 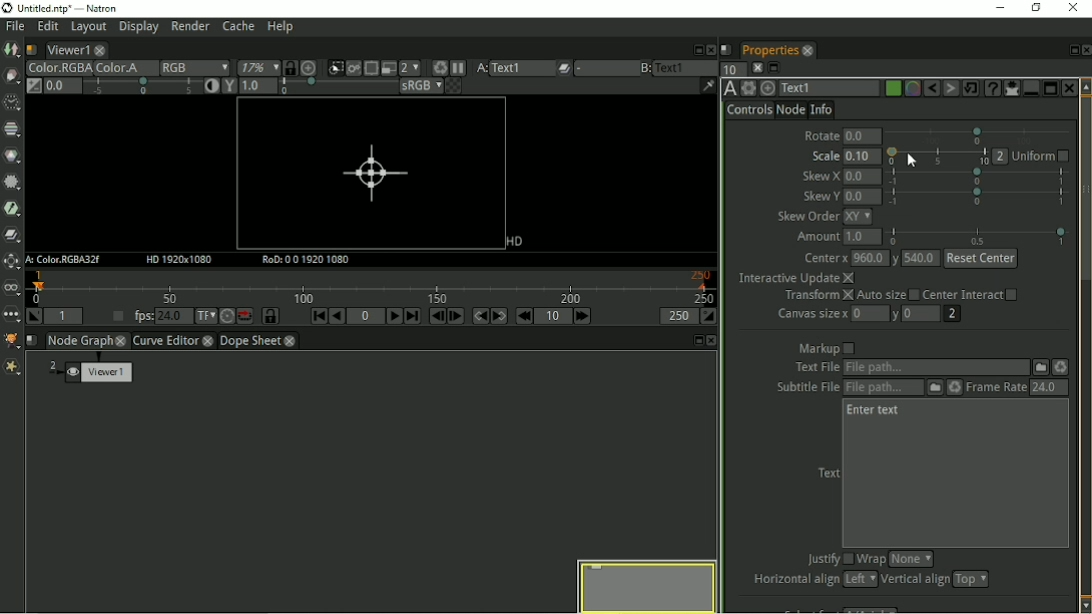 I want to click on Undo, so click(x=930, y=89).